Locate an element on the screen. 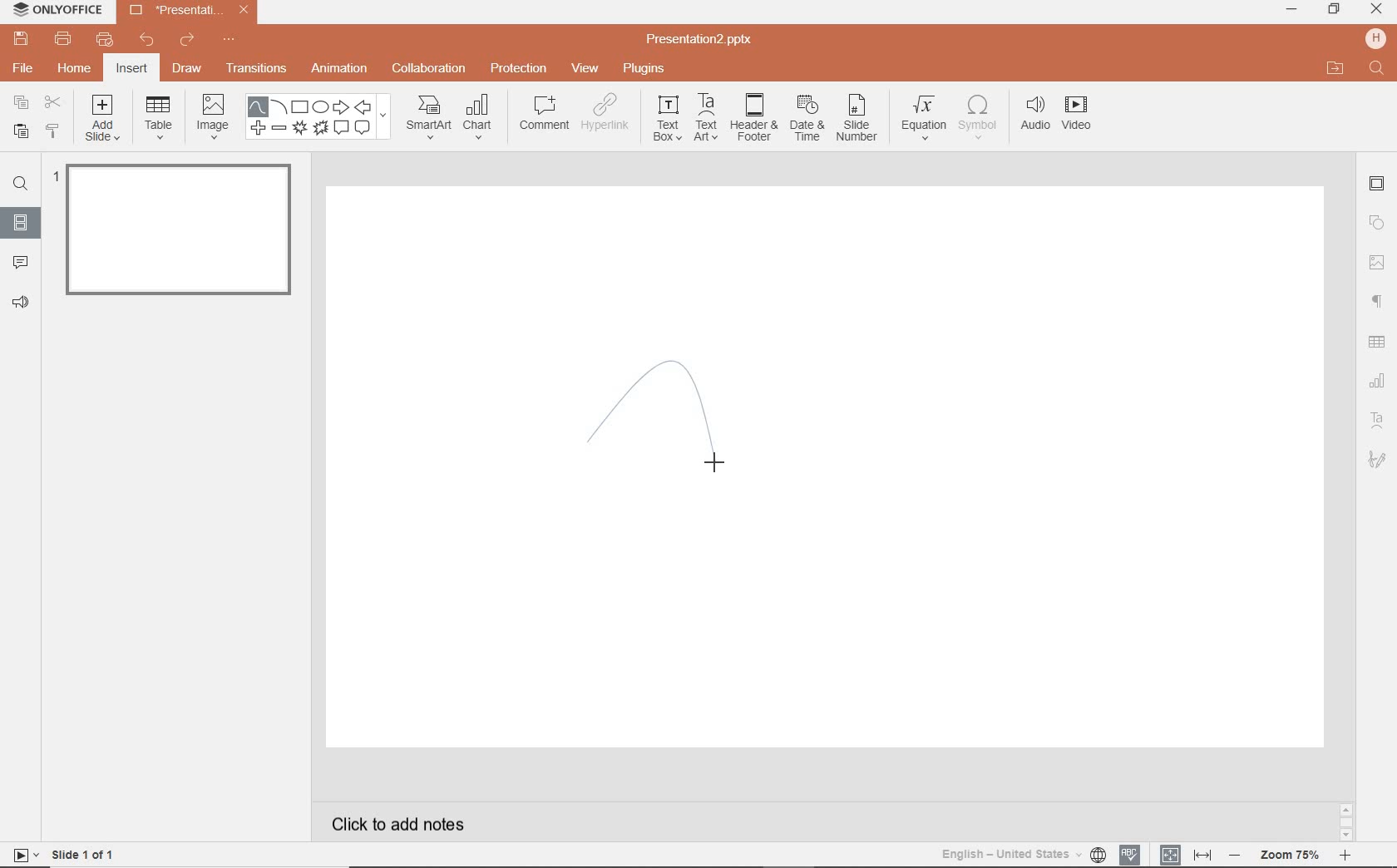 Image resolution: width=1397 pixels, height=868 pixels. ADD SLIDE is located at coordinates (104, 121).